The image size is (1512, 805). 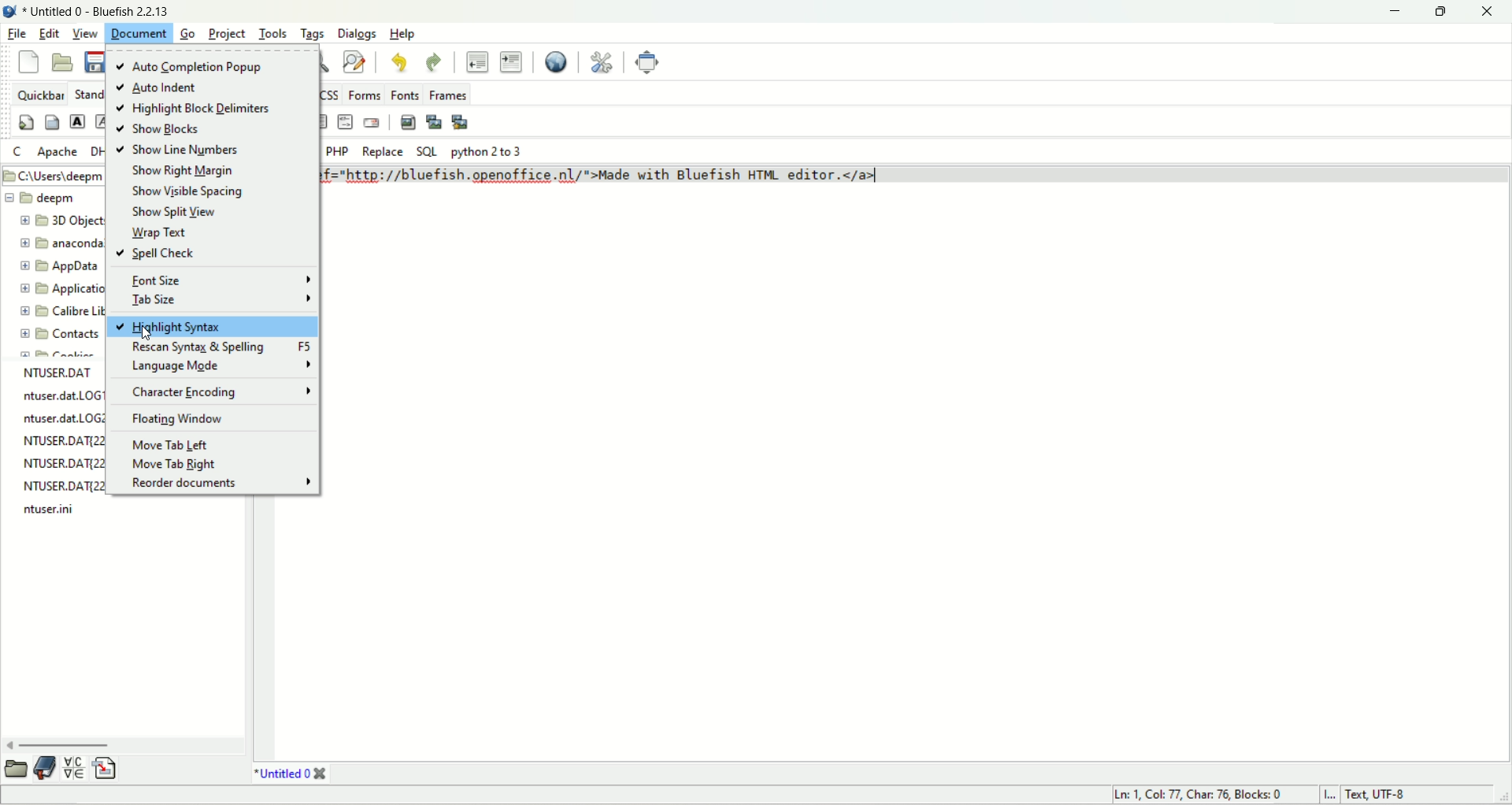 I want to click on indent, so click(x=512, y=62).